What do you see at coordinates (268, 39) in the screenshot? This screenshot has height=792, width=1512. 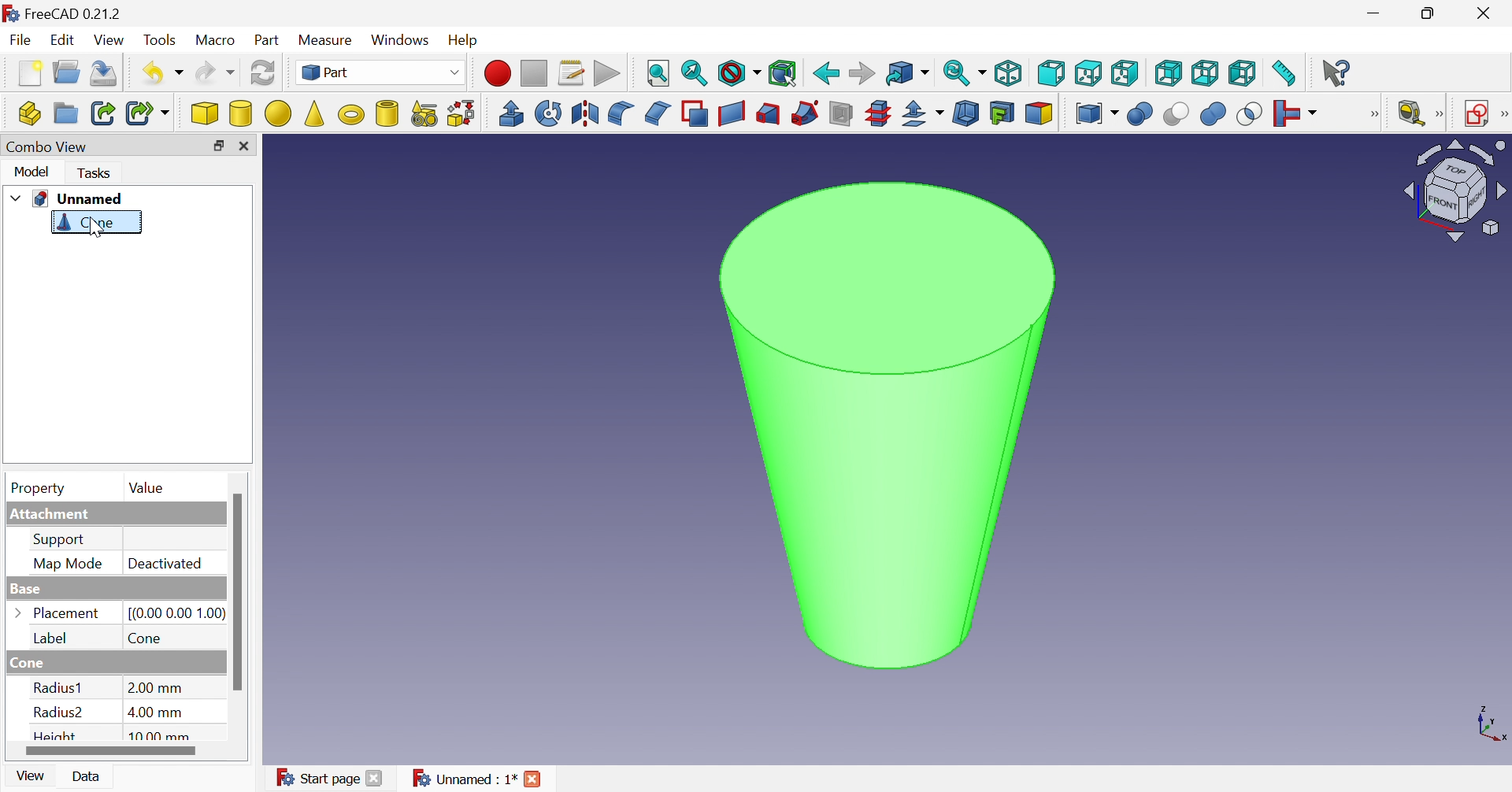 I see `Part` at bounding box center [268, 39].